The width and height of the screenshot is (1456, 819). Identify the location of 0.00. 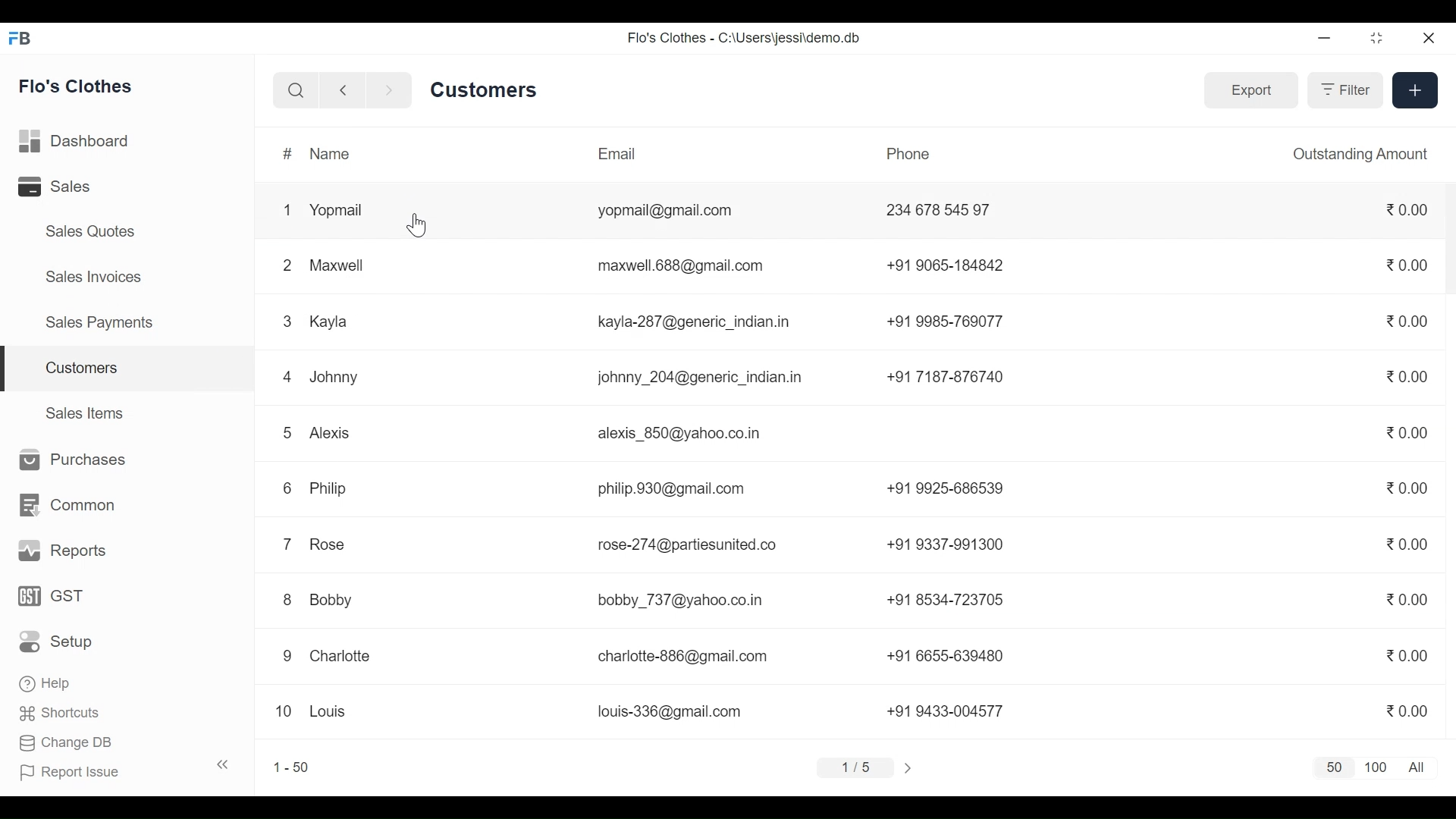
(1407, 321).